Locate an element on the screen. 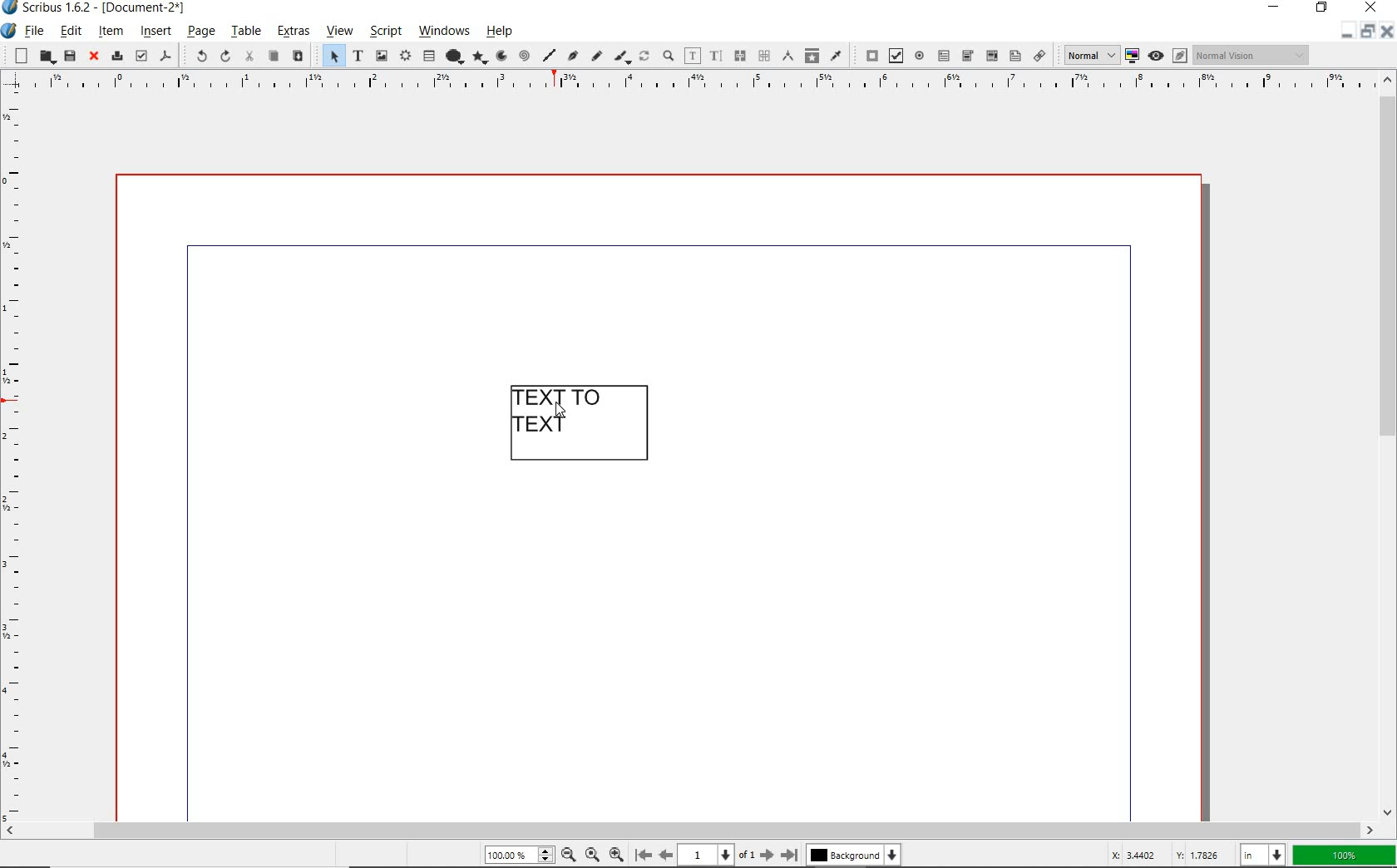  table is located at coordinates (428, 56).